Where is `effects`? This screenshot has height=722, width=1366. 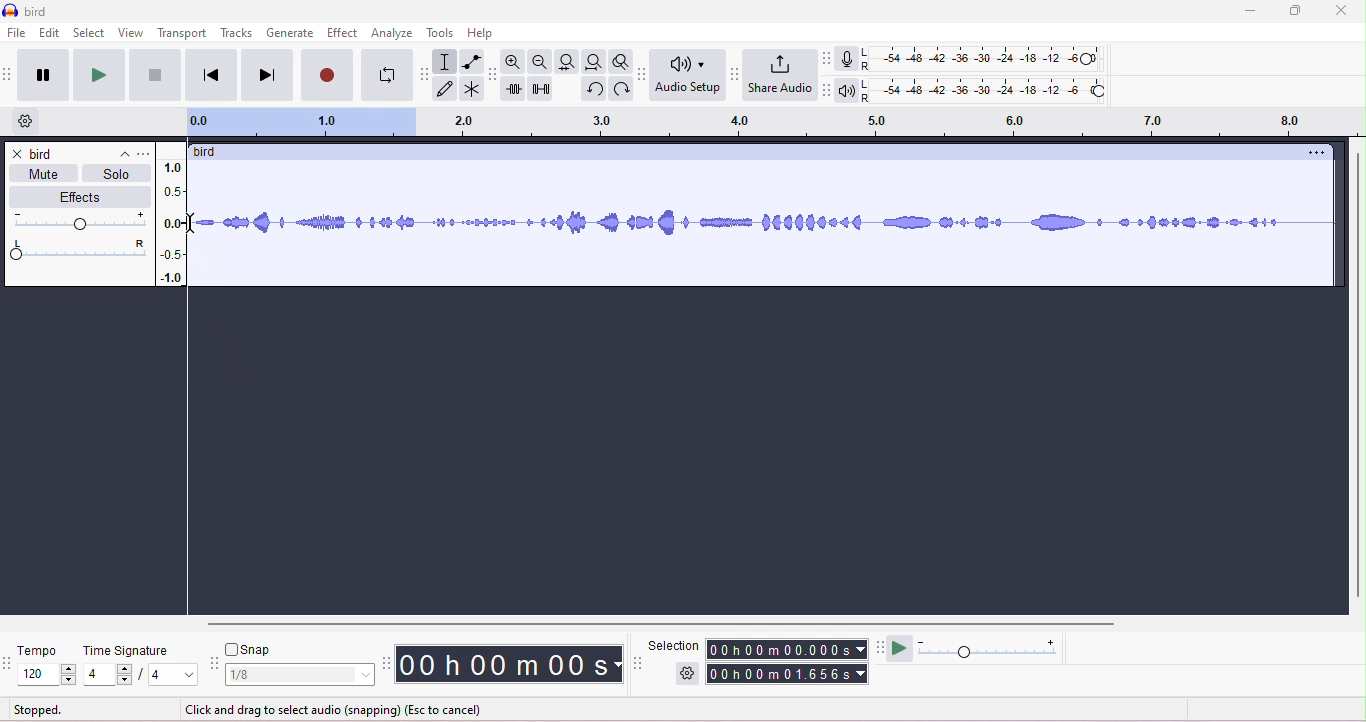
effects is located at coordinates (78, 197).